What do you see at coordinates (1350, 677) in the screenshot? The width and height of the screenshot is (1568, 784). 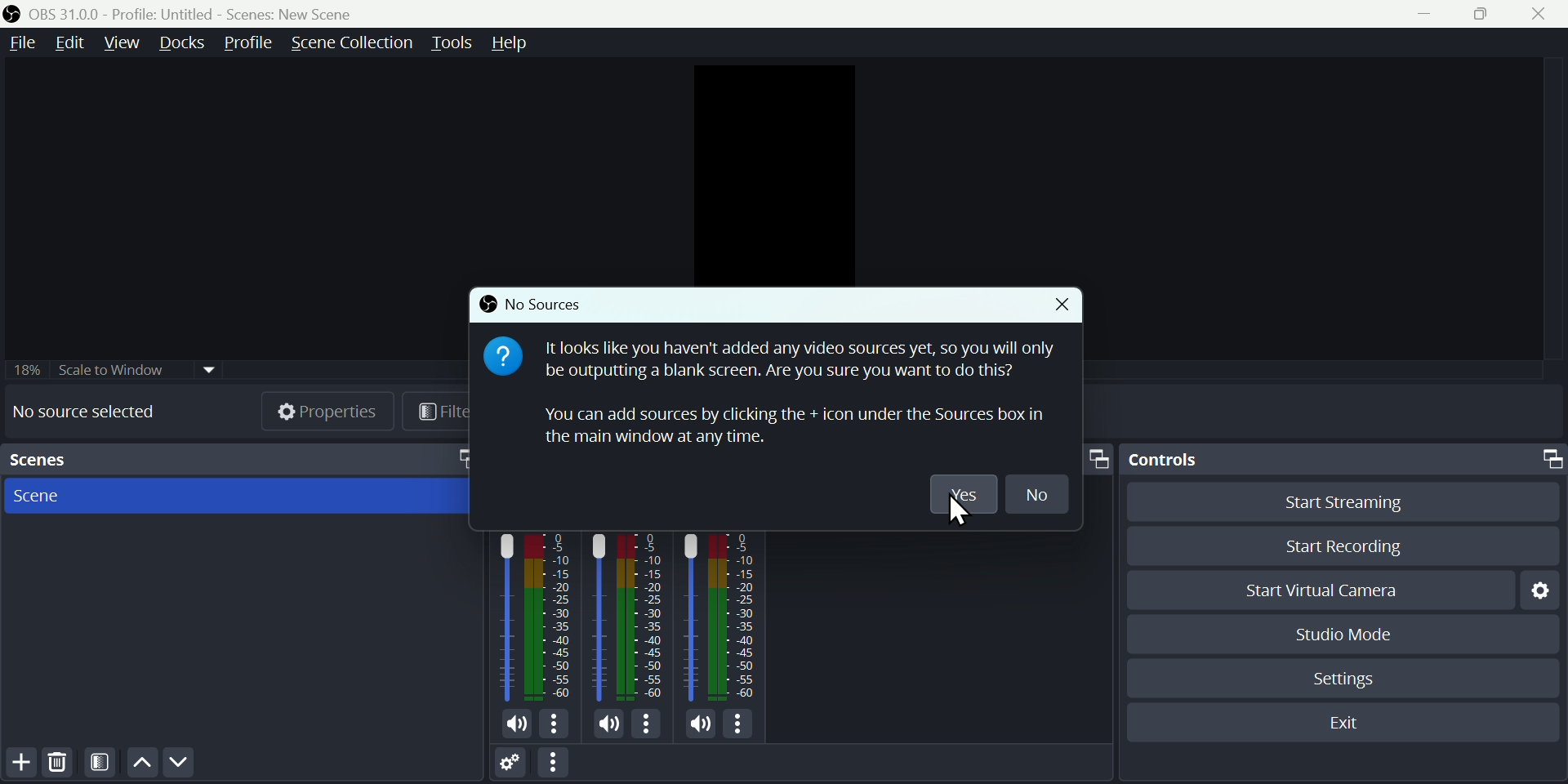 I see `Settings` at bounding box center [1350, 677].